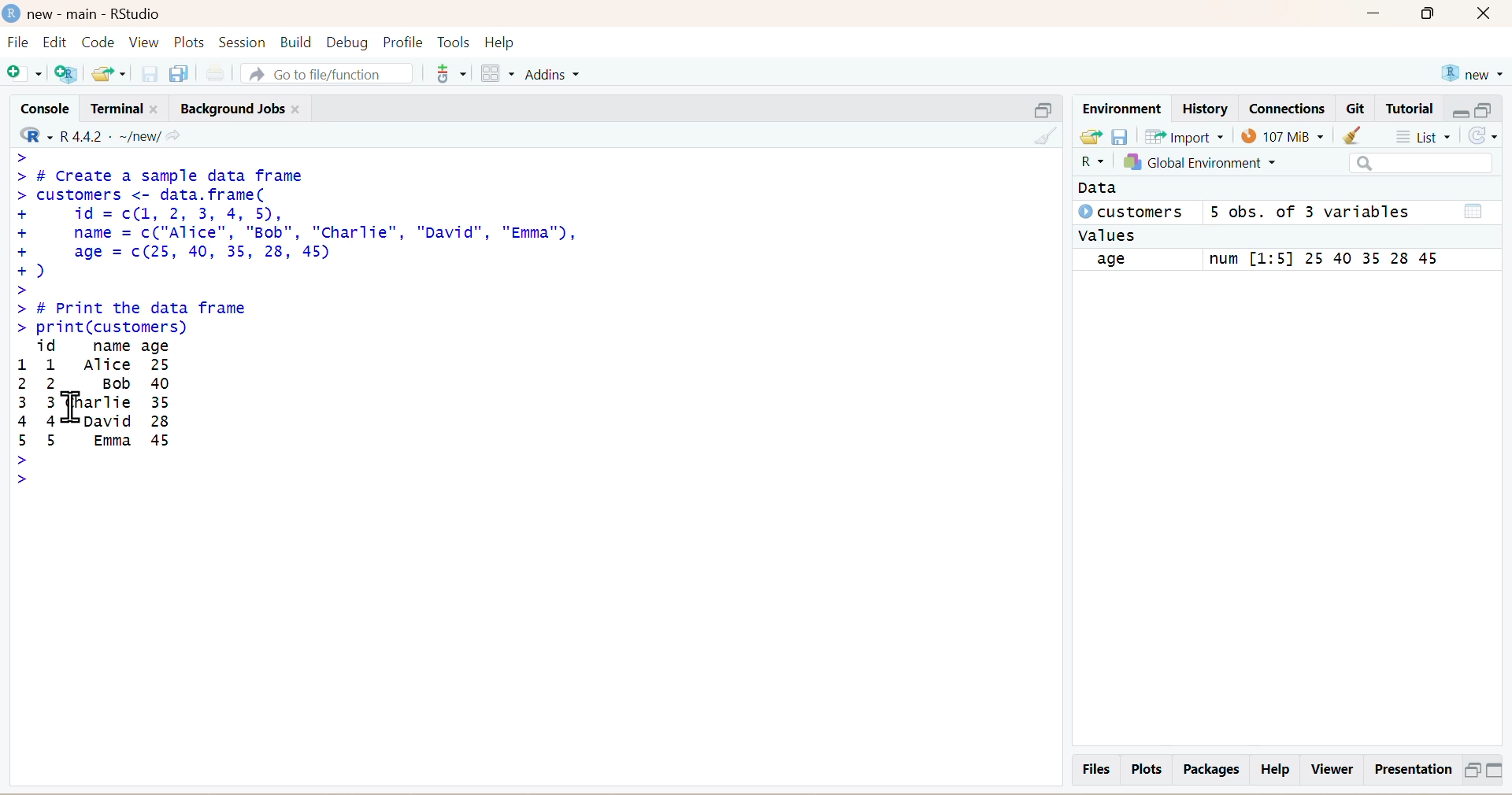 This screenshot has width=1512, height=795. Describe the element at coordinates (57, 42) in the screenshot. I see `Edit` at that location.